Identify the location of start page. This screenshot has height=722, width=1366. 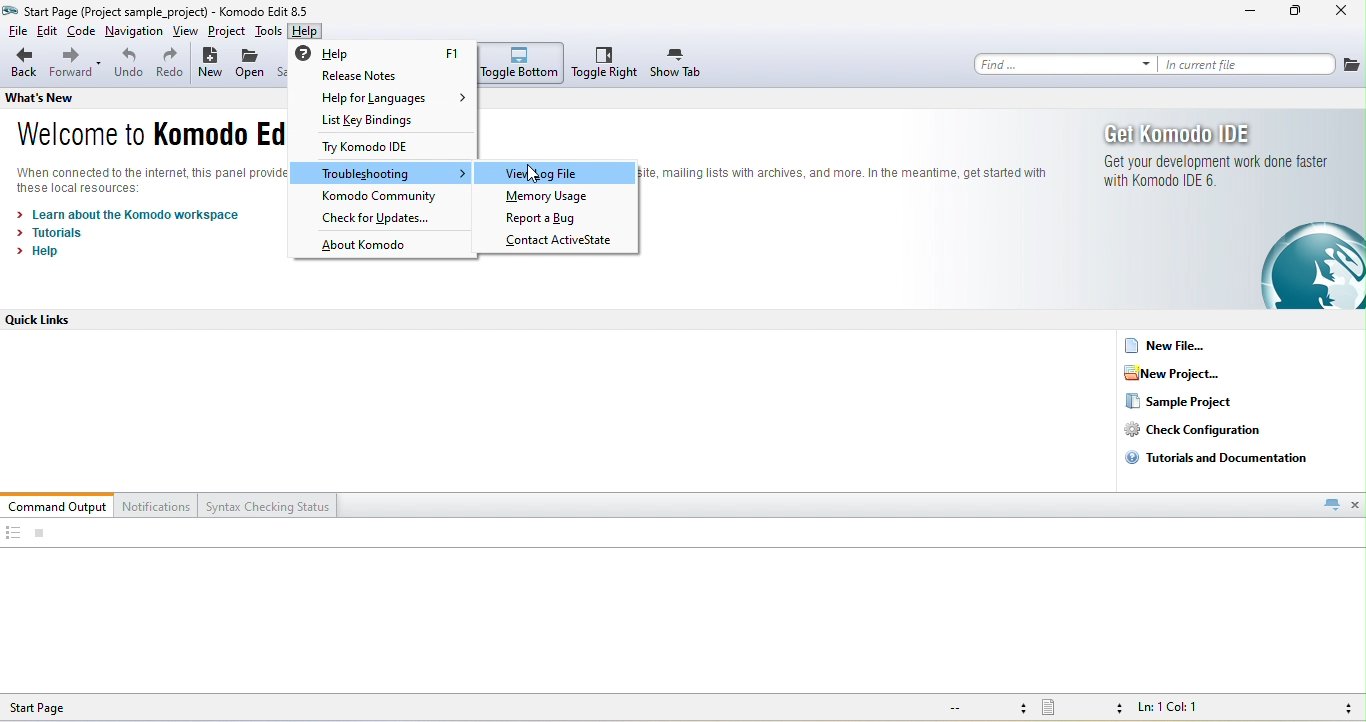
(55, 707).